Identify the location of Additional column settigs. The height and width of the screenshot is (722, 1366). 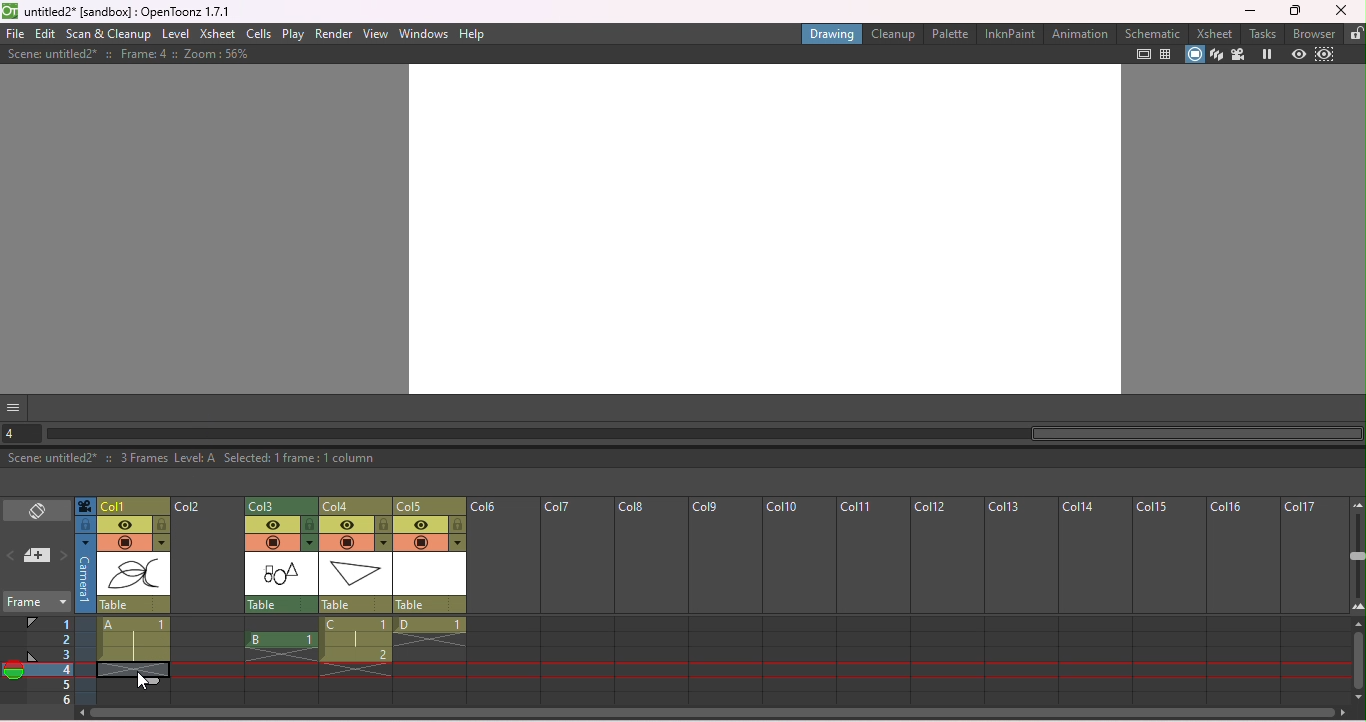
(460, 543).